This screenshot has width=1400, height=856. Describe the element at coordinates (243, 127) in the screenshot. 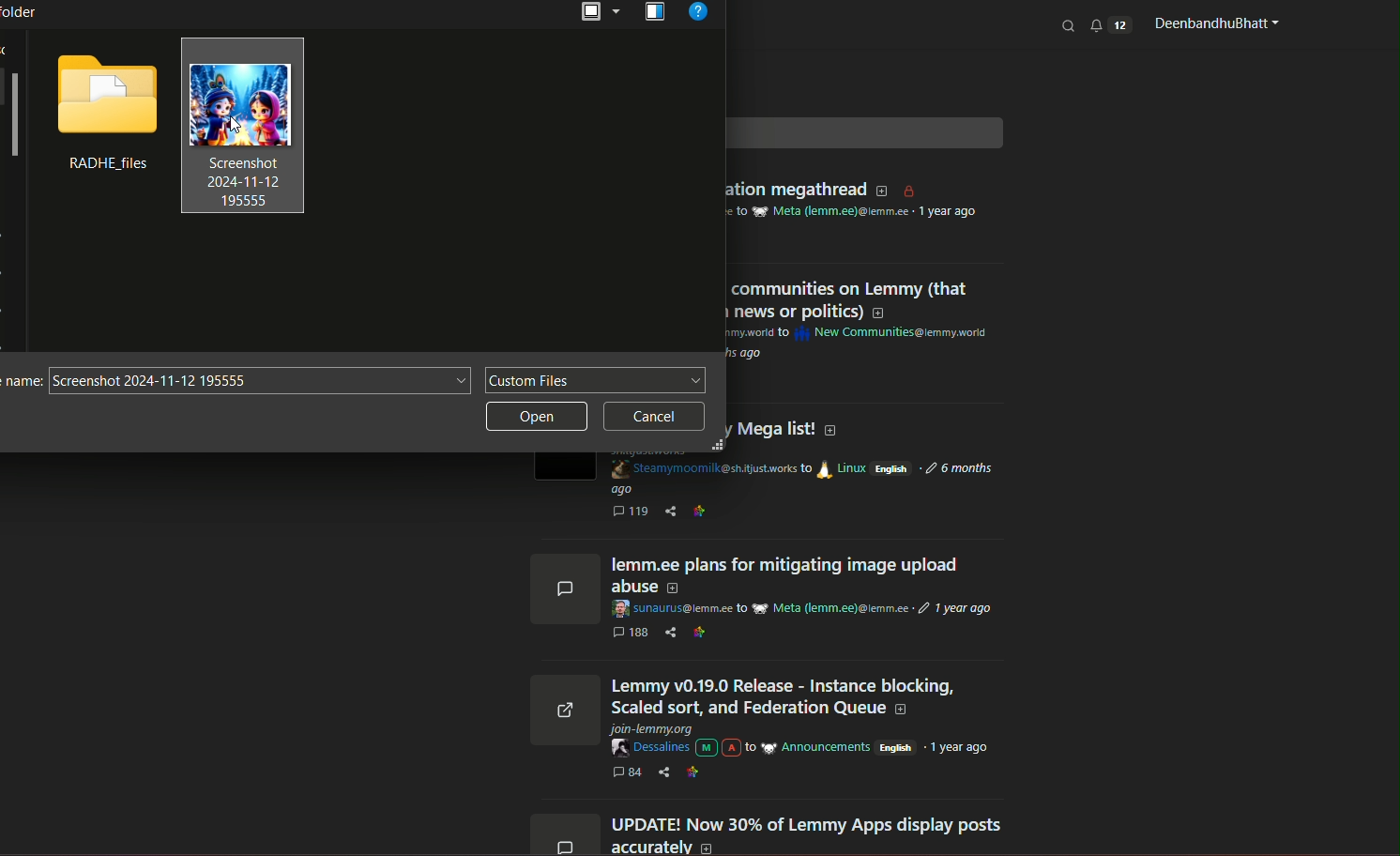

I see `image file` at that location.